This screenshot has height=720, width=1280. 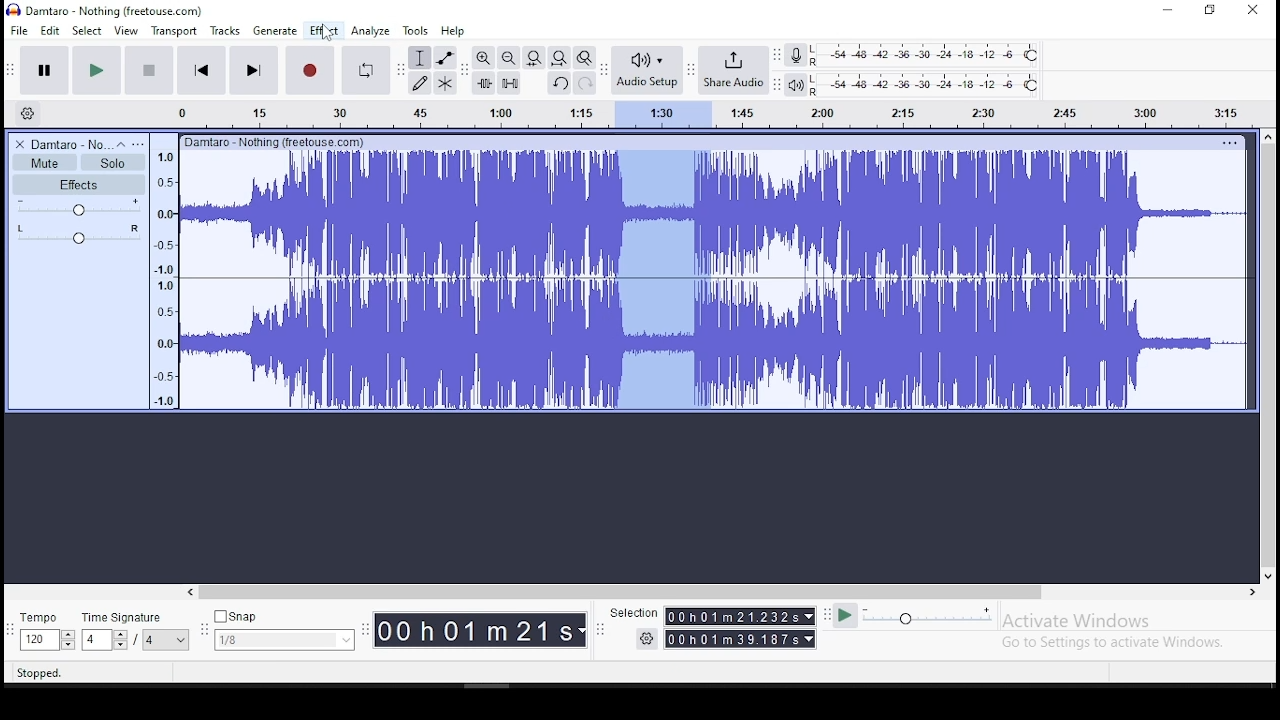 I want to click on delete track, so click(x=21, y=144).